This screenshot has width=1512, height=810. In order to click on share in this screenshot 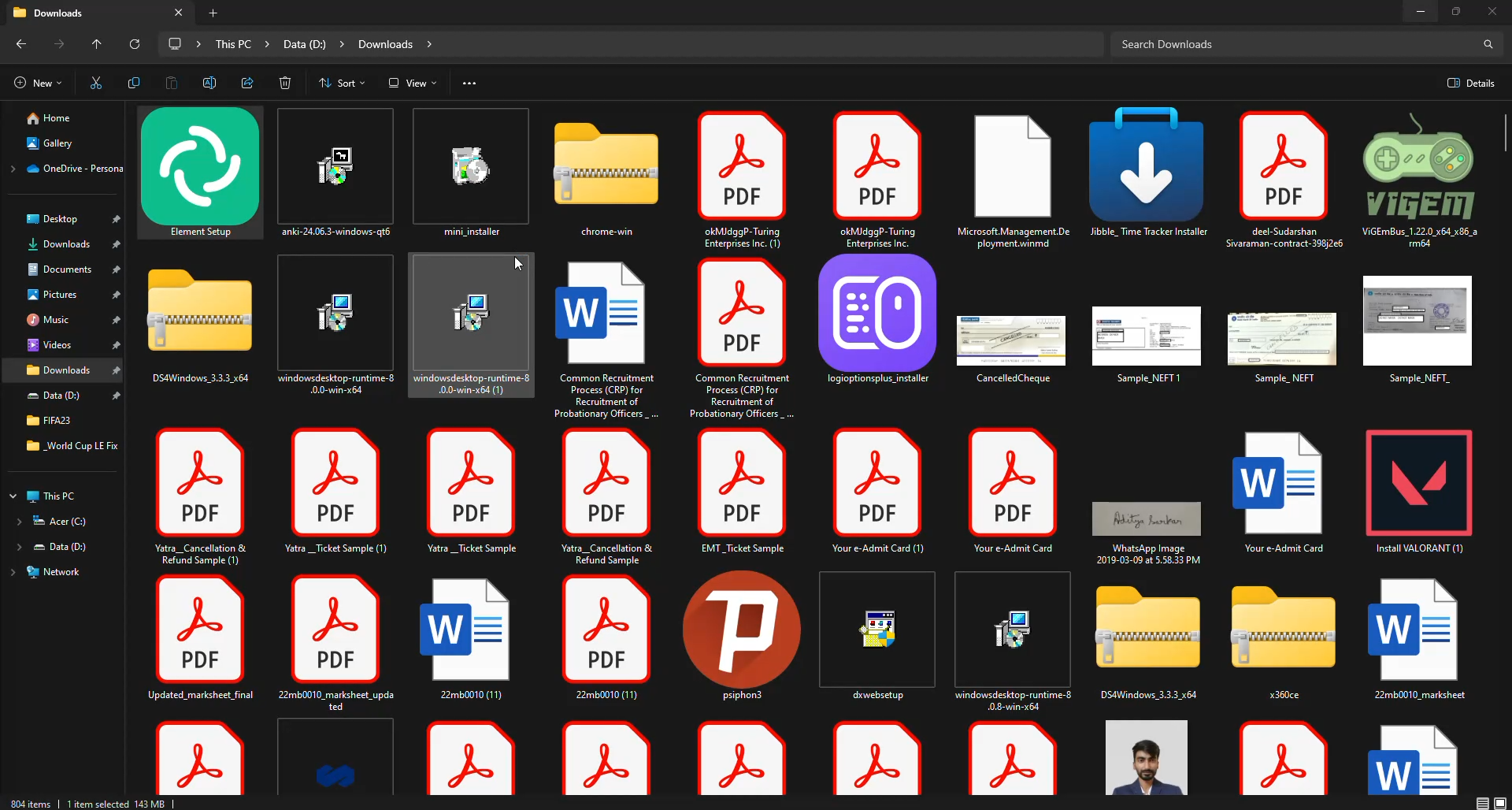, I will do `click(248, 86)`.